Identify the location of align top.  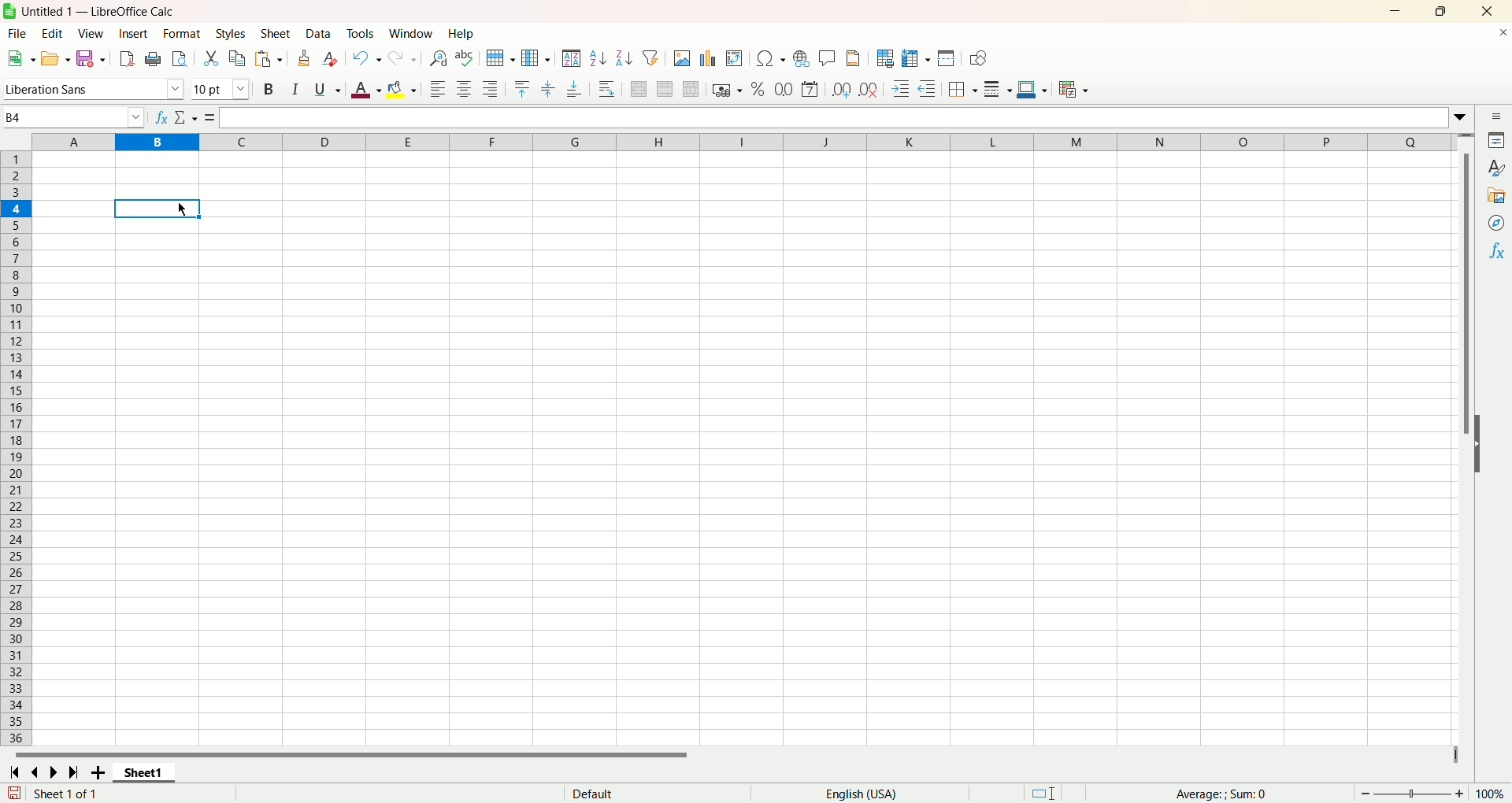
(521, 87).